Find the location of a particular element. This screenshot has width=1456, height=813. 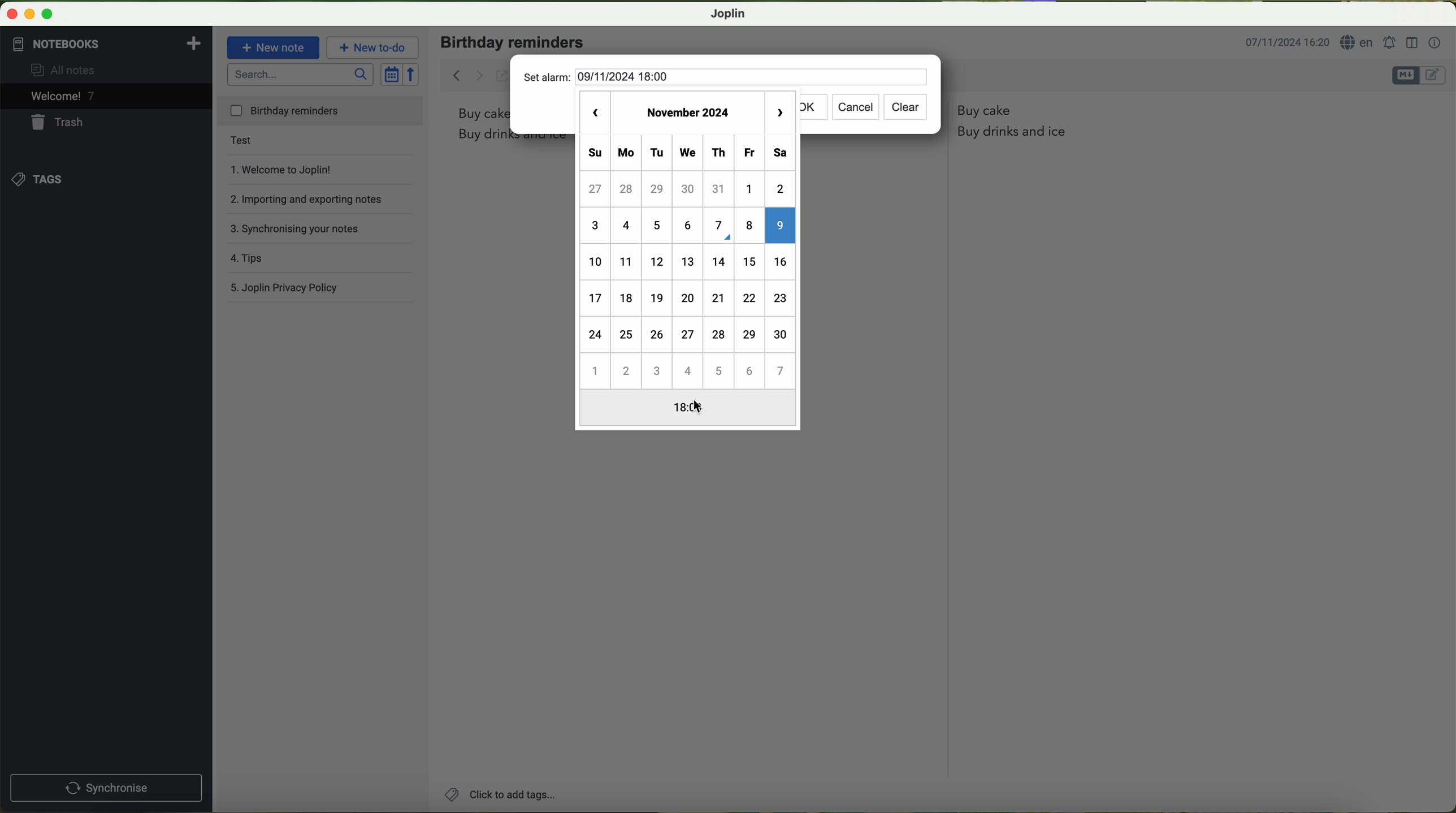

new note button is located at coordinates (272, 47).